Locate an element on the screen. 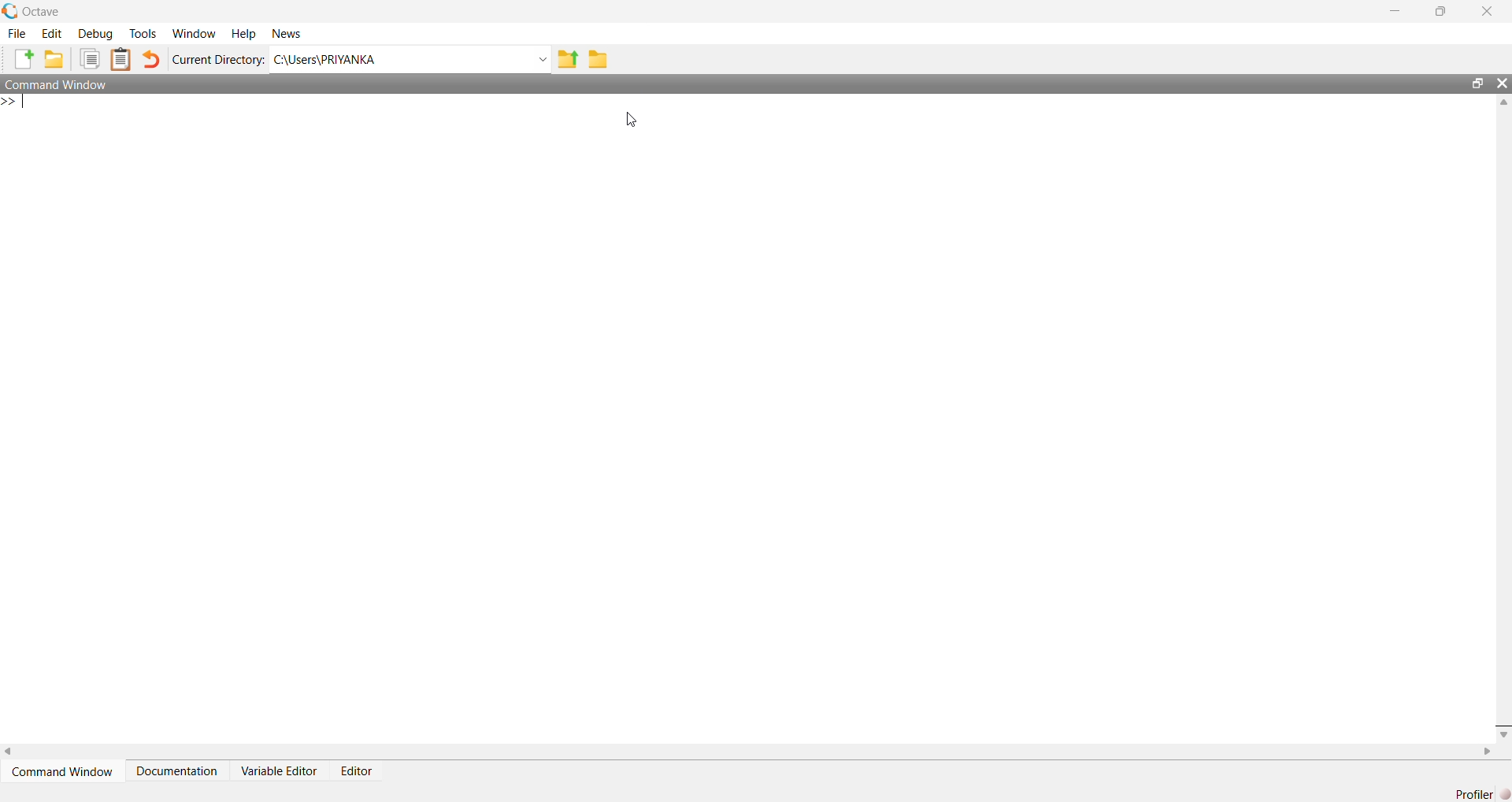  Edit is located at coordinates (55, 35).